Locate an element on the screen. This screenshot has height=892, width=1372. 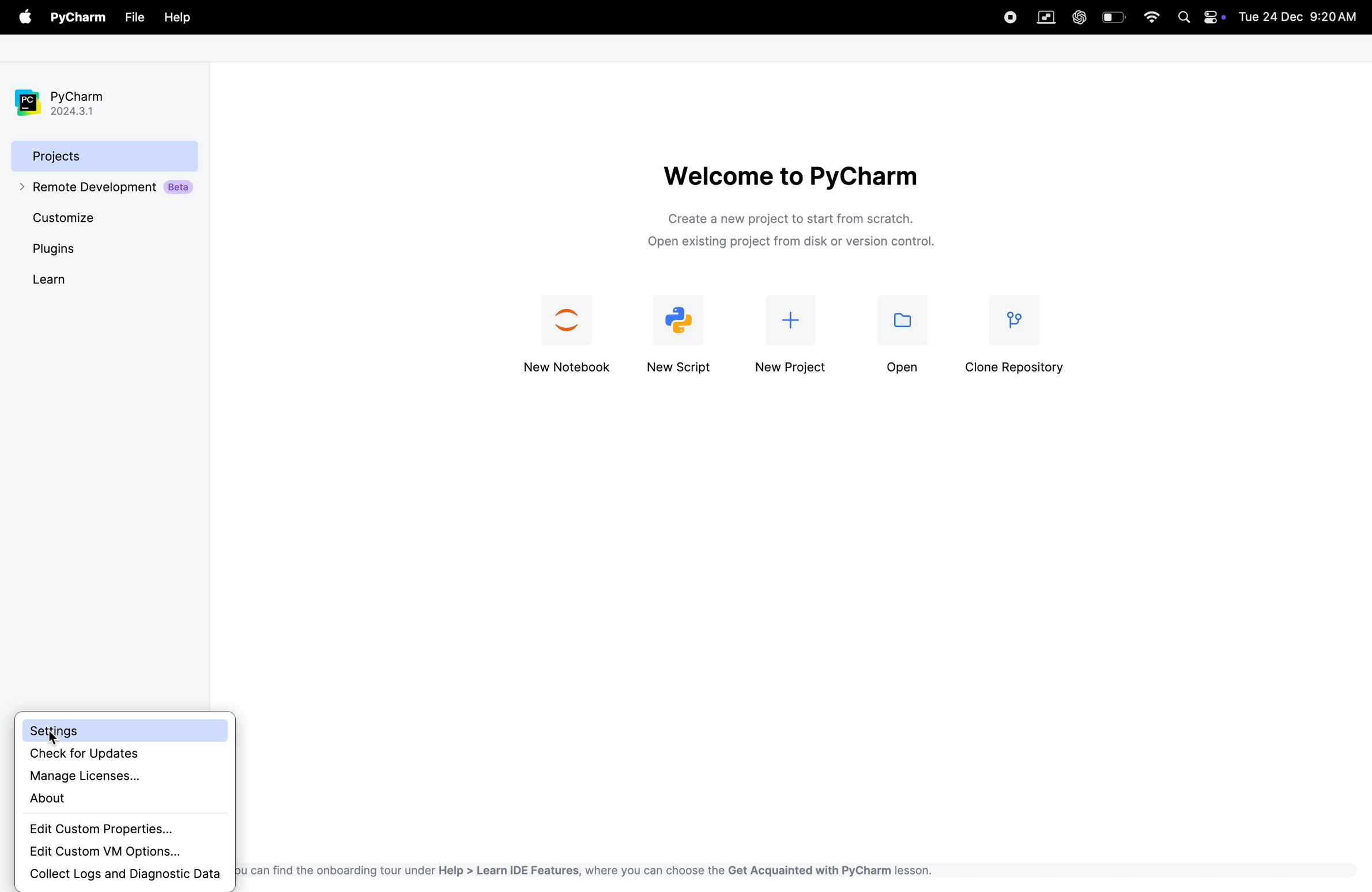
open is located at coordinates (902, 340).